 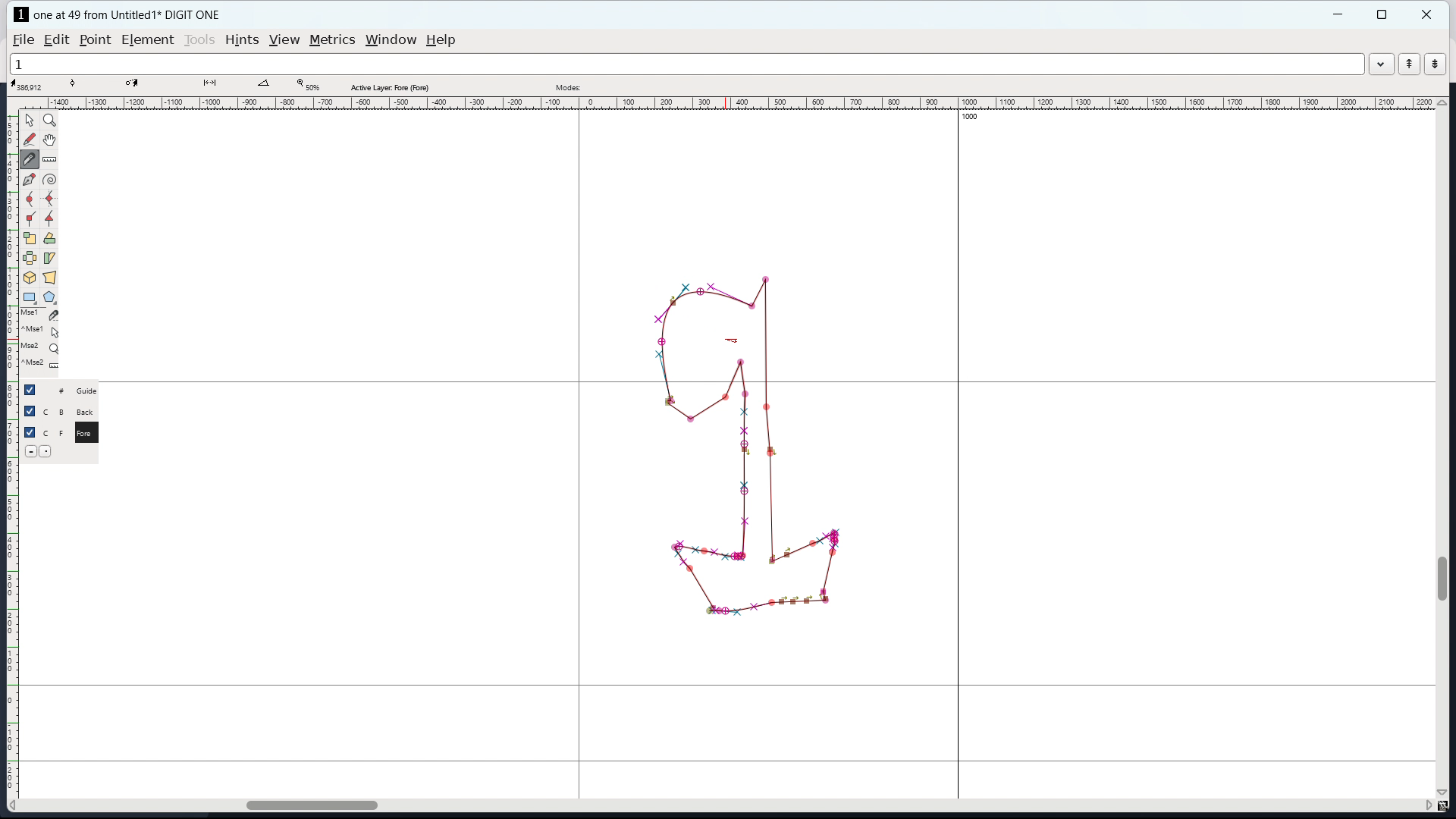 I want to click on element, so click(x=147, y=39).